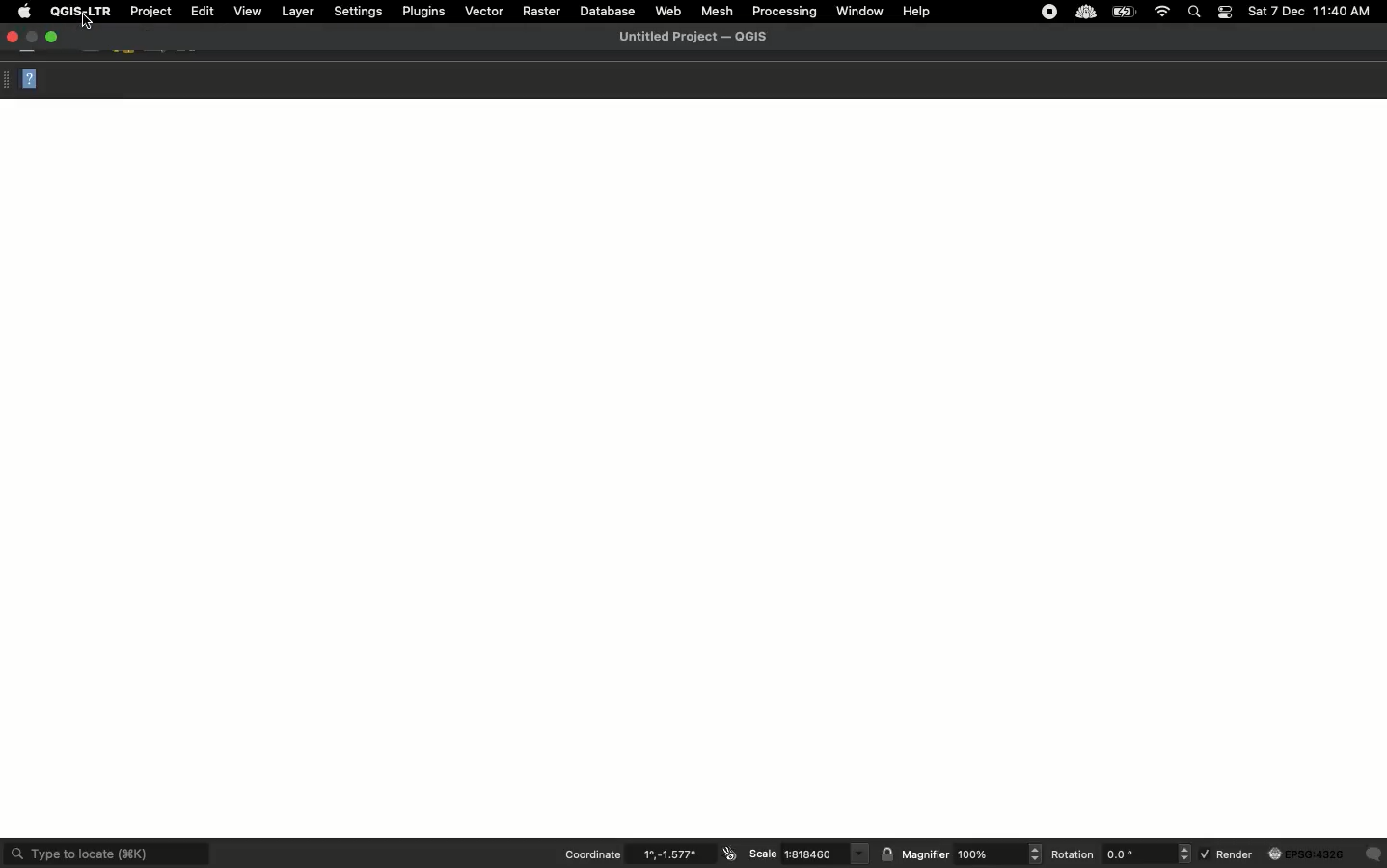 The image size is (1387, 868). What do you see at coordinates (81, 12) in the screenshot?
I see `QGIS` at bounding box center [81, 12].